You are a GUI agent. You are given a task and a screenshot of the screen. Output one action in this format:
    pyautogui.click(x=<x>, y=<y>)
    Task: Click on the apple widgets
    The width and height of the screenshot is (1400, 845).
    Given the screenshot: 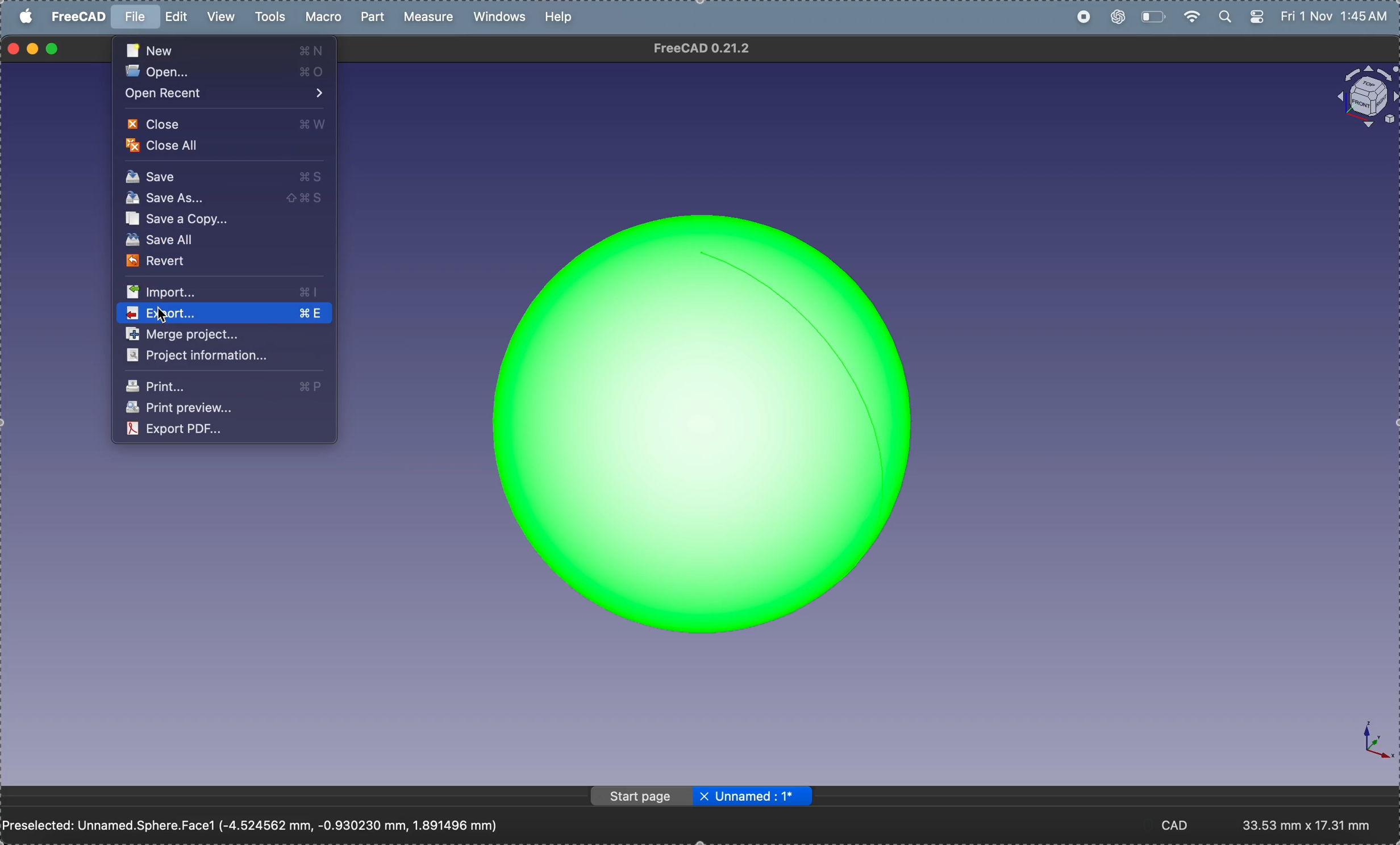 What is the action you would take?
    pyautogui.click(x=1239, y=17)
    